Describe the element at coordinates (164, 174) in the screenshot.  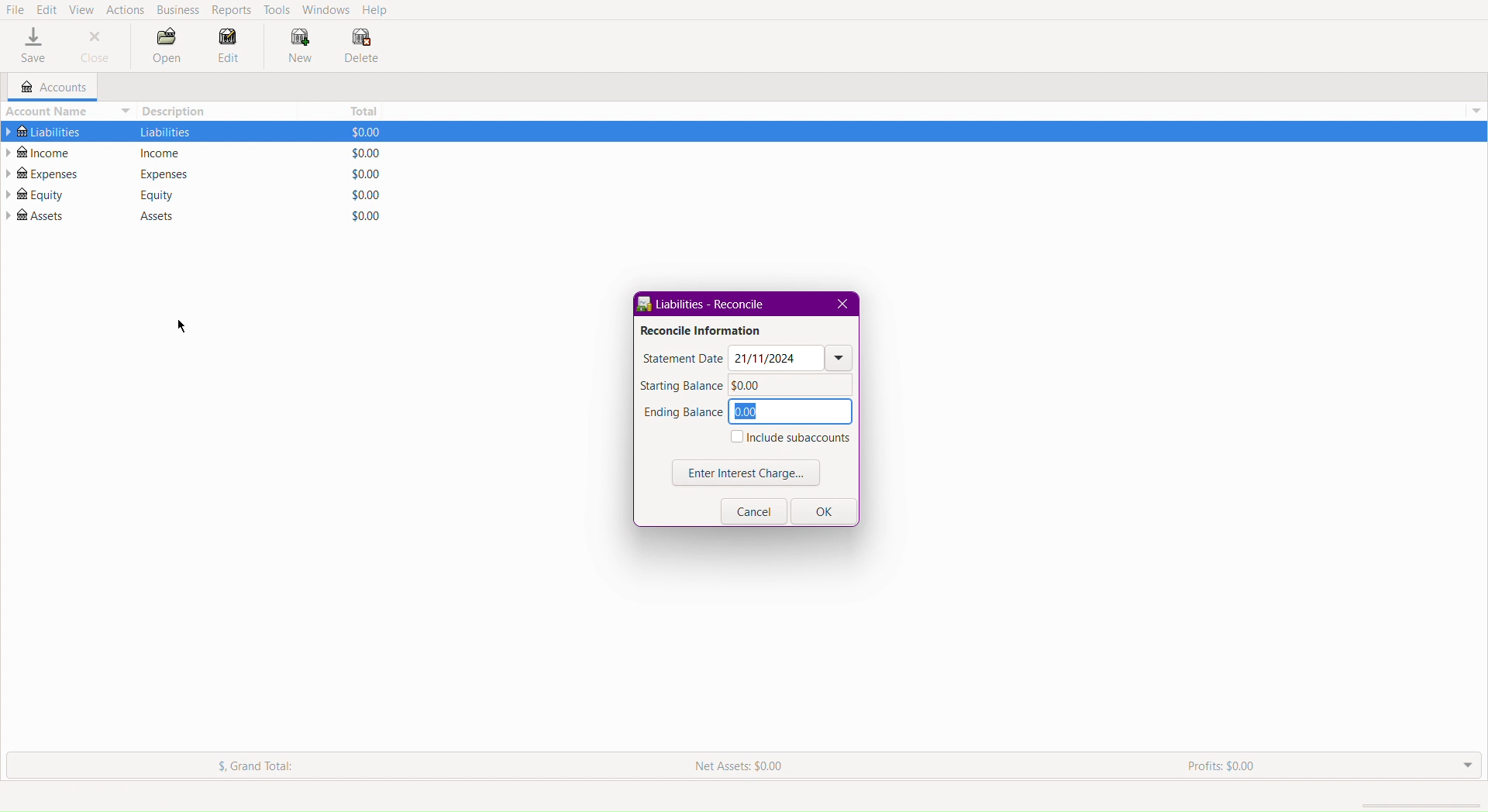
I see `Description` at that location.